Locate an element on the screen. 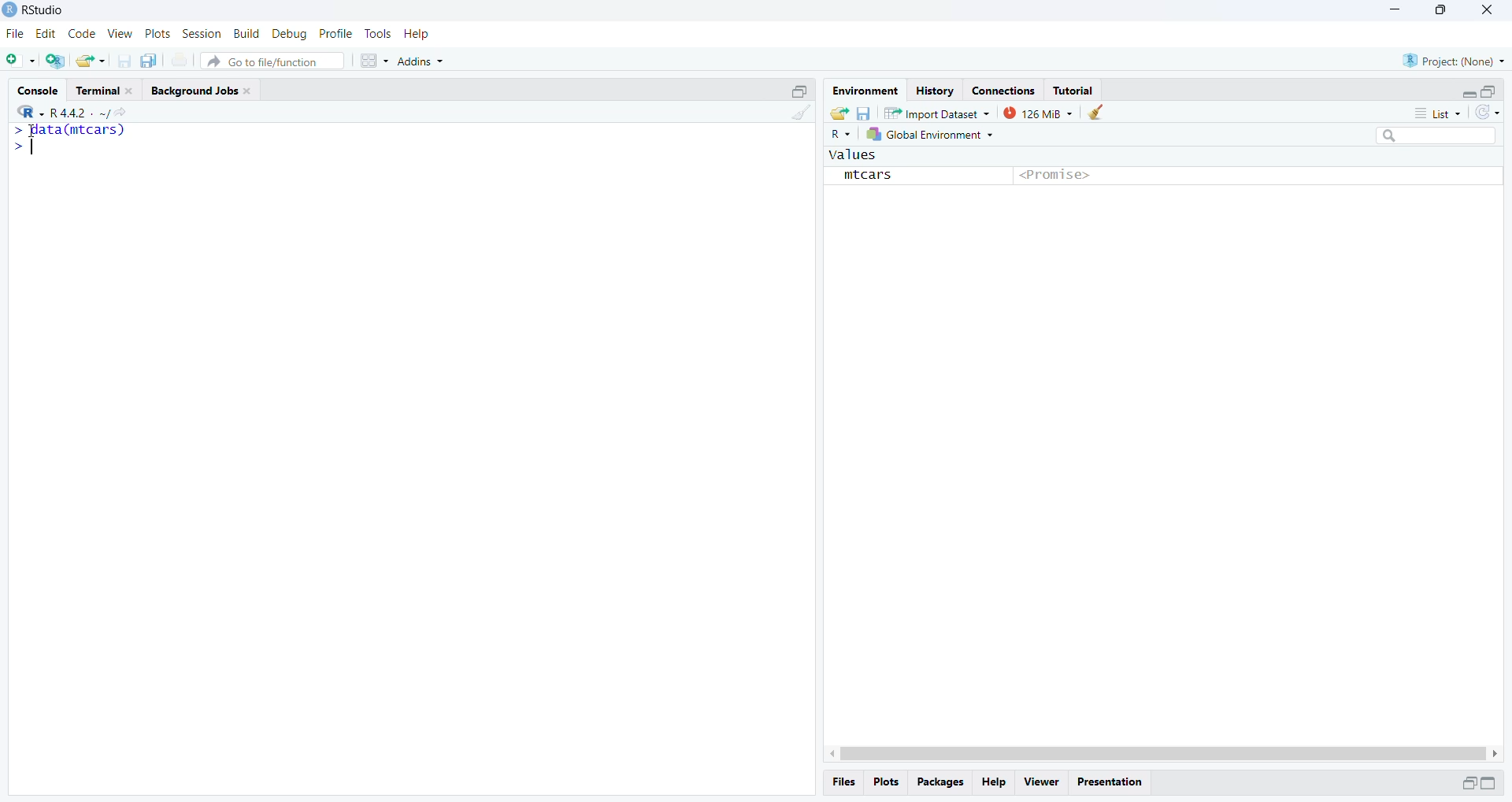 The height and width of the screenshot is (802, 1512). Tools is located at coordinates (376, 32).